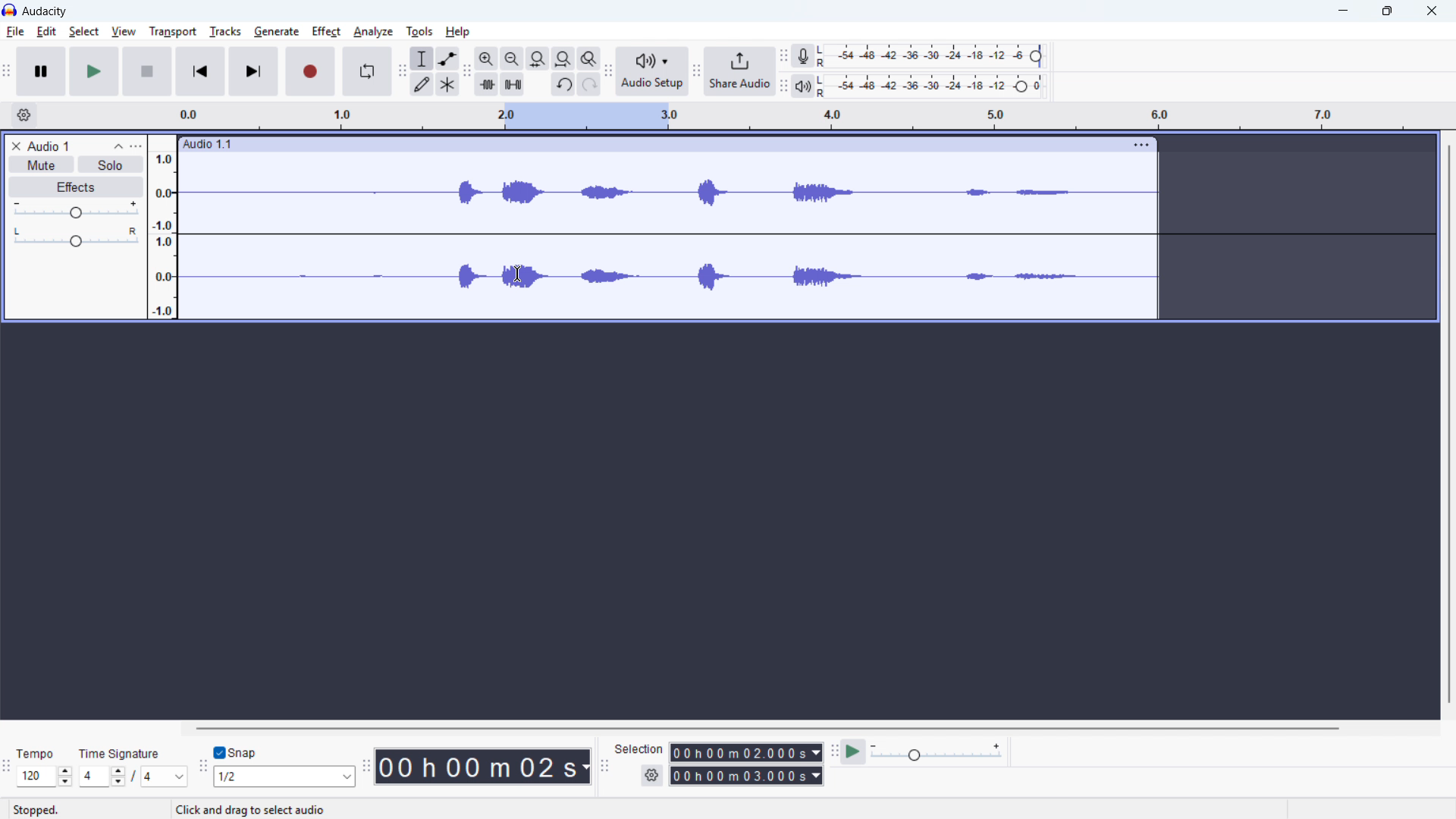 Image resolution: width=1456 pixels, height=819 pixels. Describe the element at coordinates (37, 752) in the screenshot. I see `Tempo` at that location.